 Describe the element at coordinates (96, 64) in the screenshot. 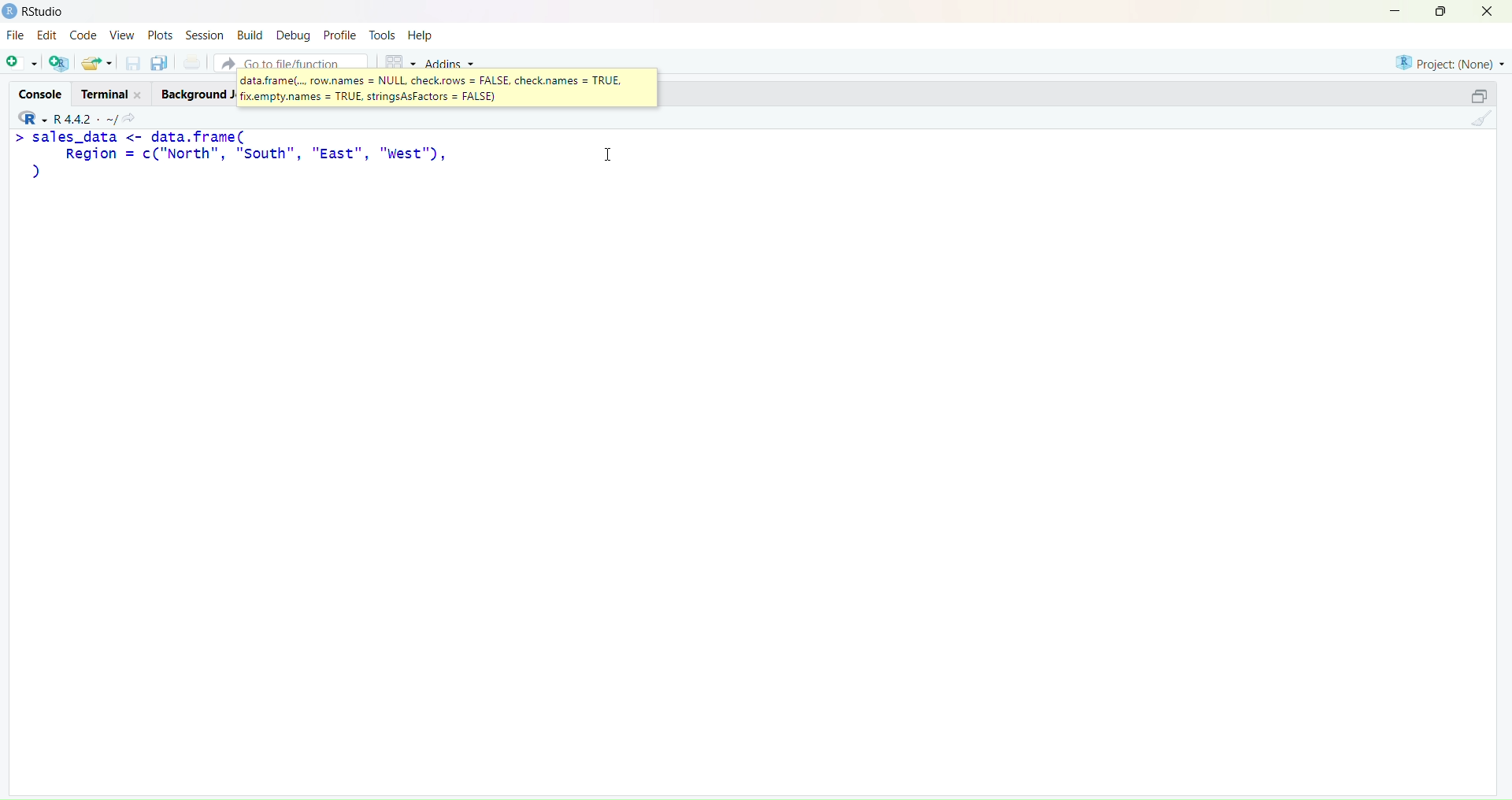

I see `save and export` at that location.